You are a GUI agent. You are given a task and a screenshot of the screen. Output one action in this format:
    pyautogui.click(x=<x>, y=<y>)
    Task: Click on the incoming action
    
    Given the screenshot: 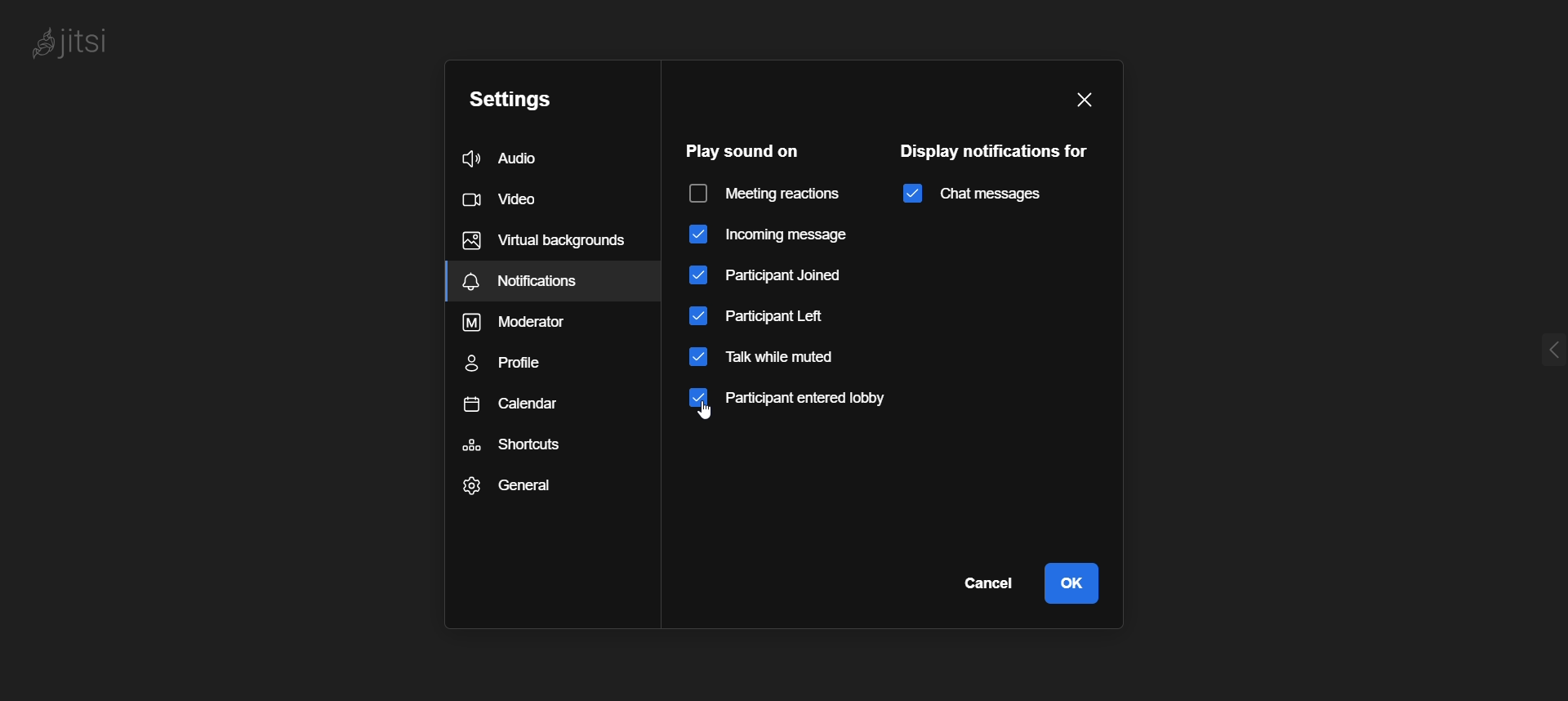 What is the action you would take?
    pyautogui.click(x=768, y=235)
    